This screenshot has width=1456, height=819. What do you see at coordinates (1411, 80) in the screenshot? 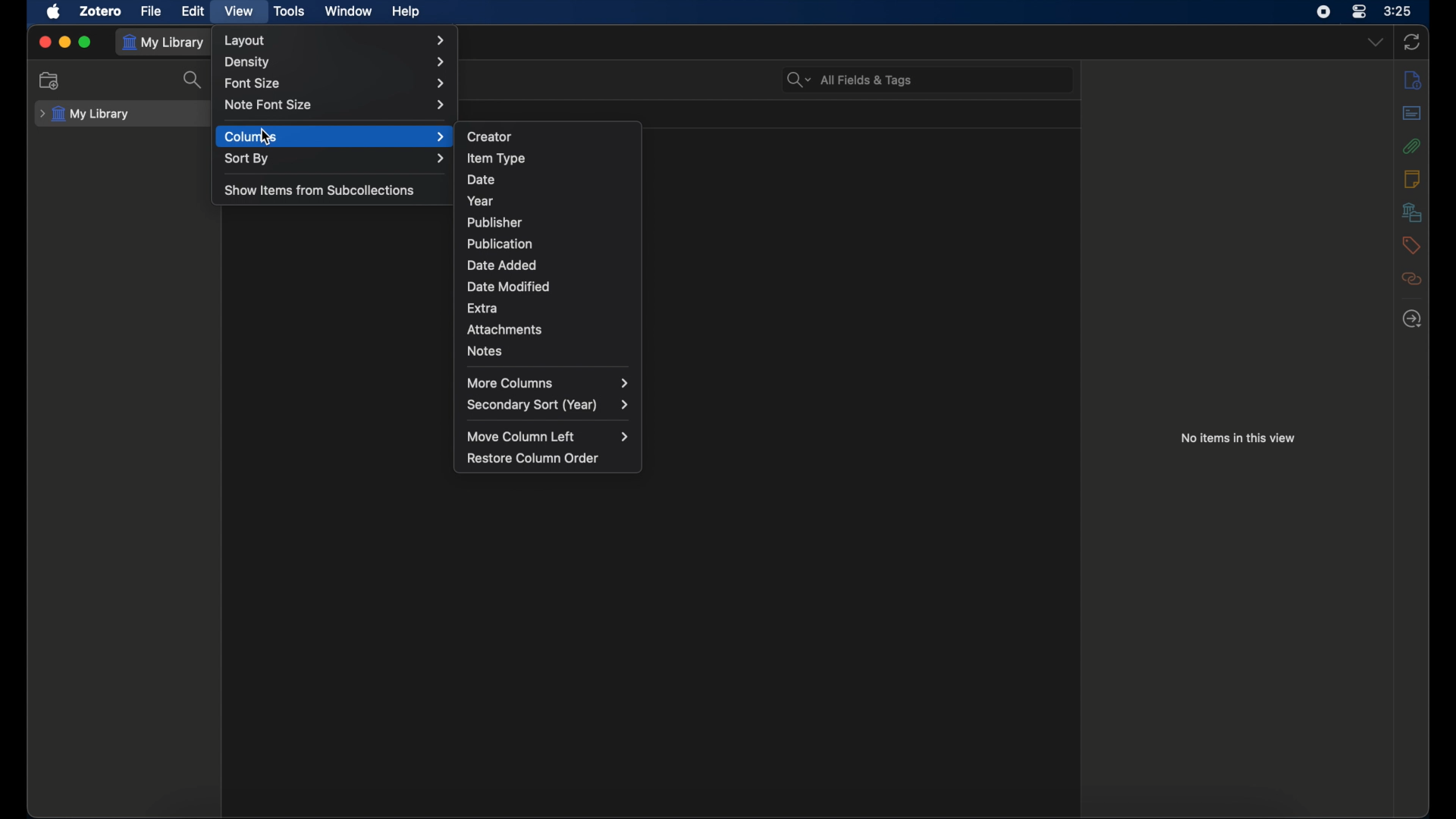
I see `info` at bounding box center [1411, 80].